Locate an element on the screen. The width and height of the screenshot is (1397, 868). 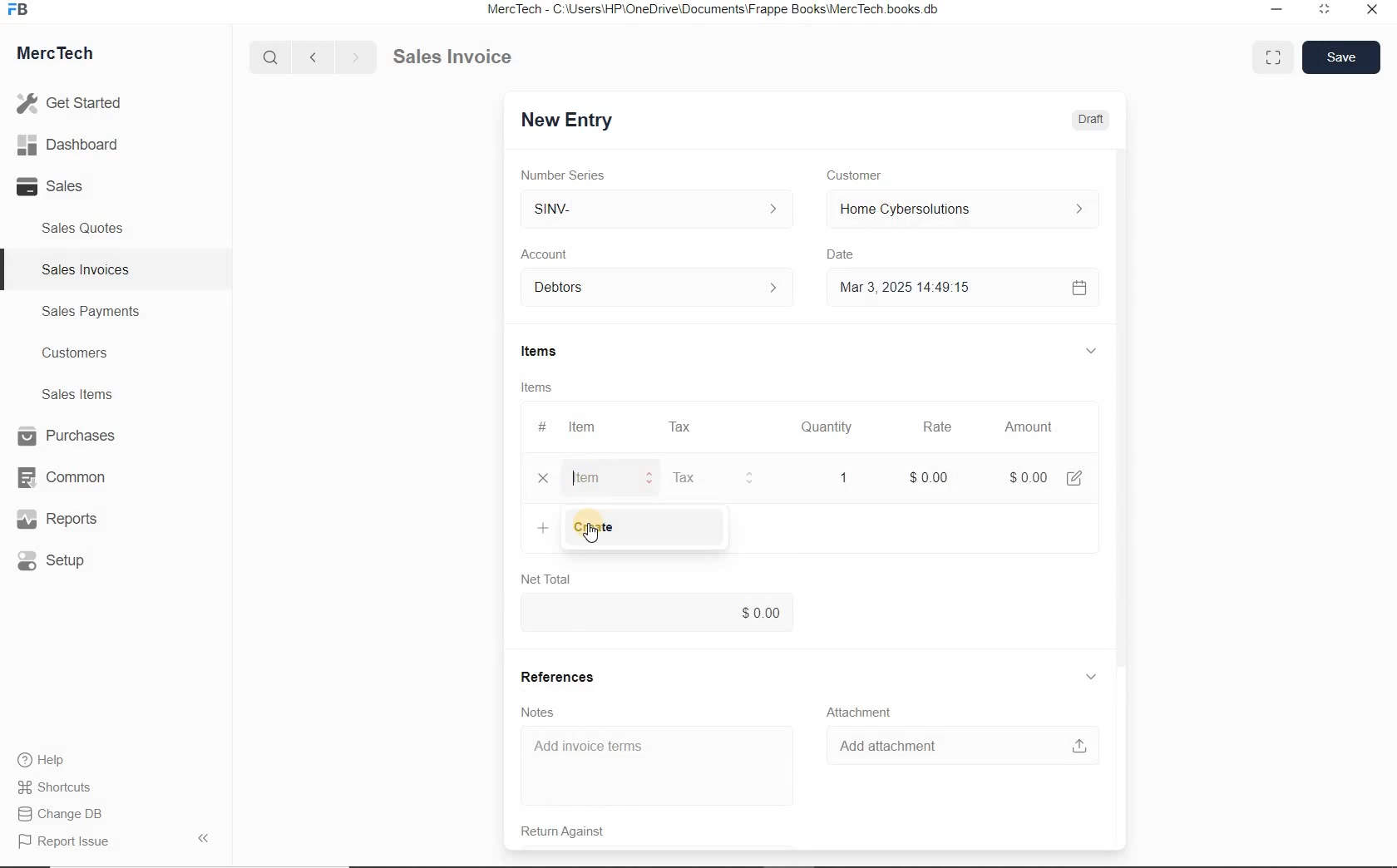
MercTech is located at coordinates (63, 57).